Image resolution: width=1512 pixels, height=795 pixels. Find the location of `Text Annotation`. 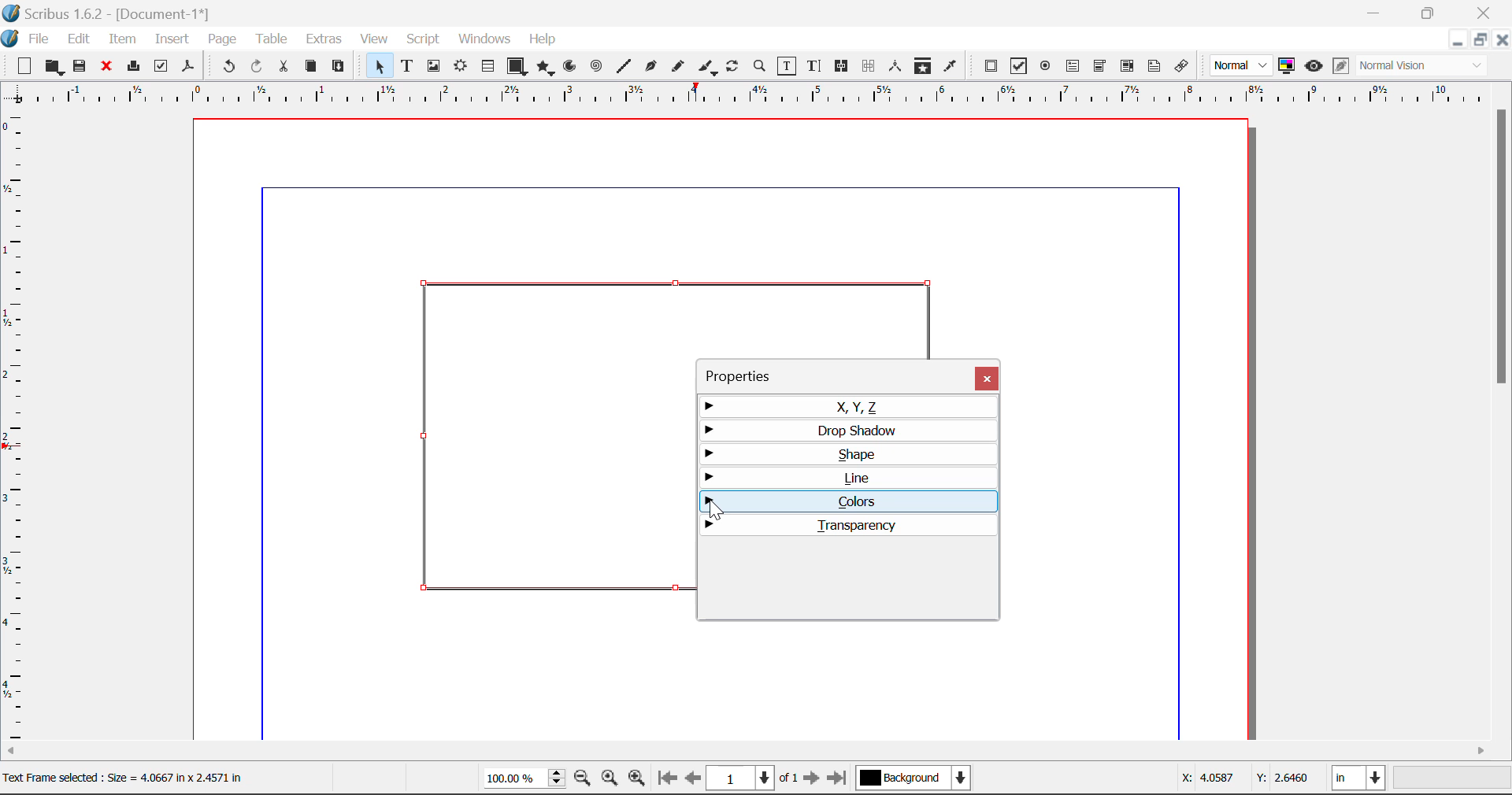

Text Annotation is located at coordinates (1154, 66).